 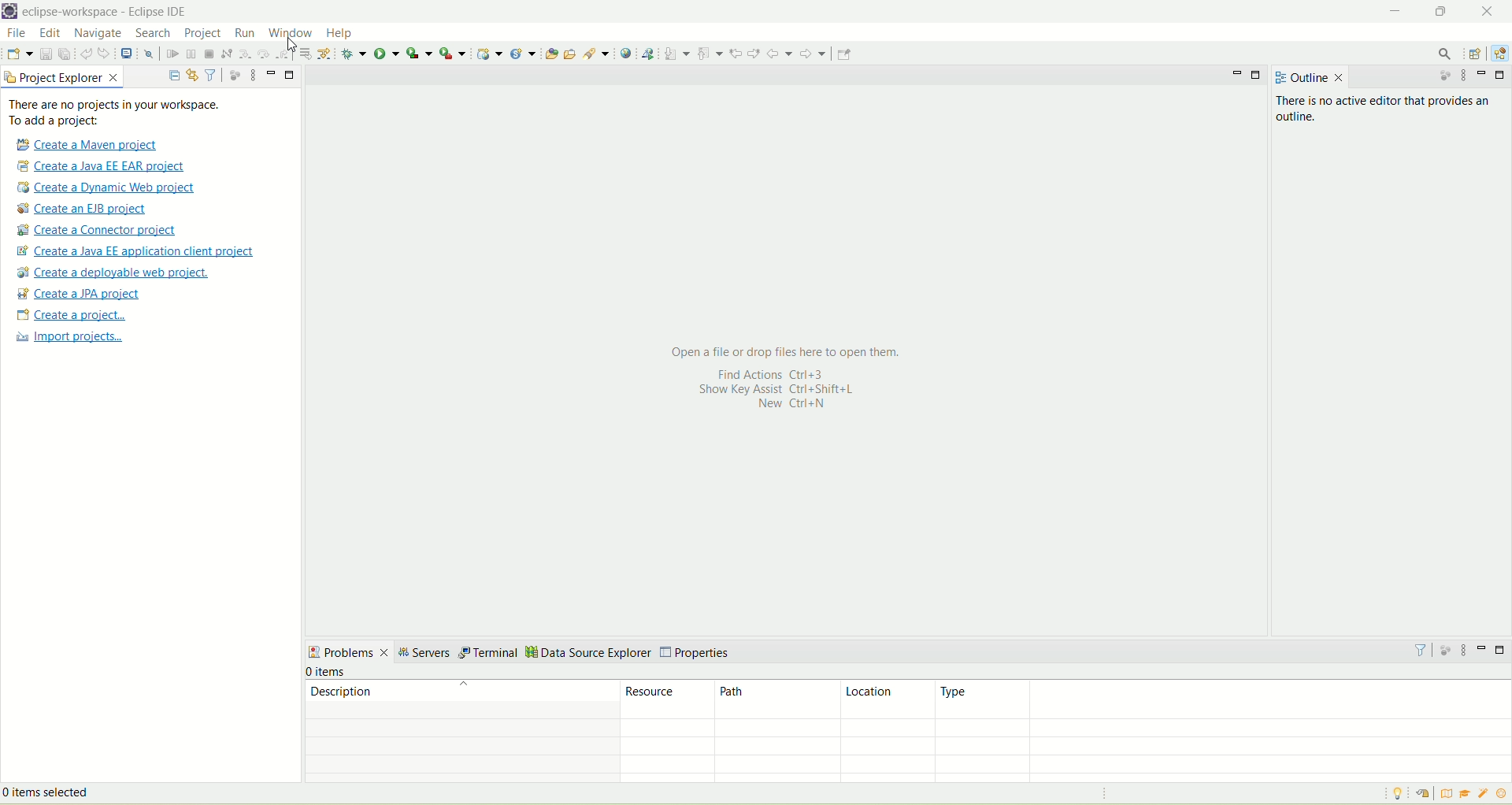 I want to click on close, so click(x=1484, y=10).